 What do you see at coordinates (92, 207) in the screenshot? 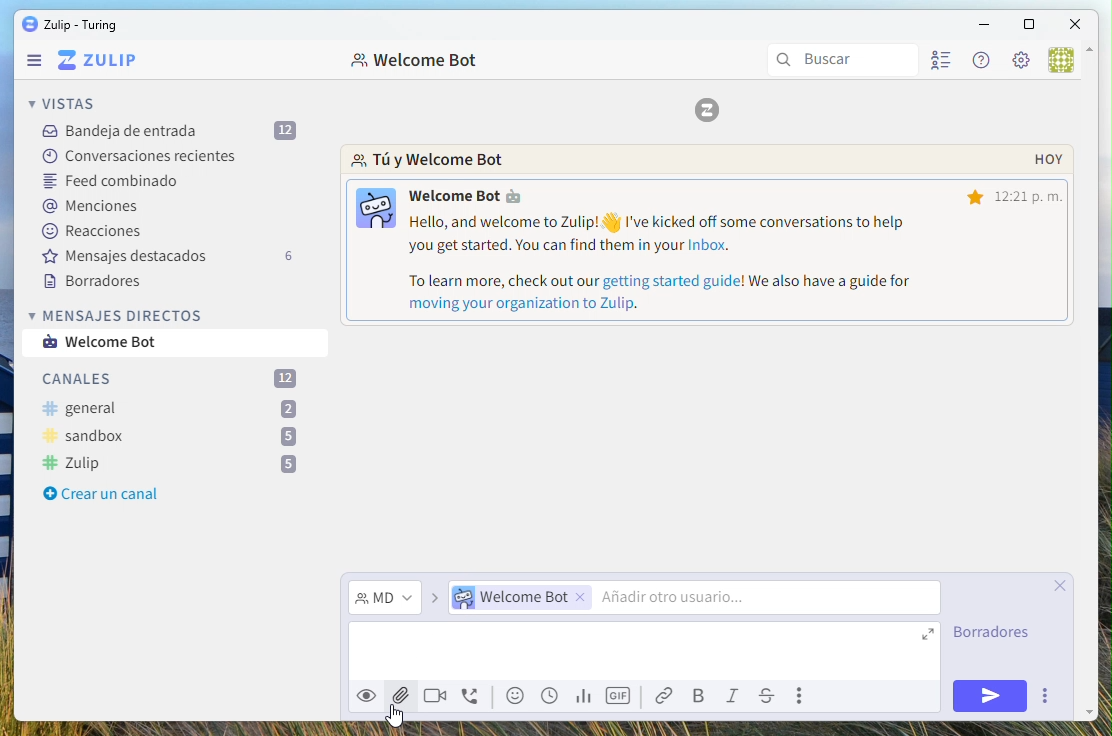
I see `Tags` at bounding box center [92, 207].